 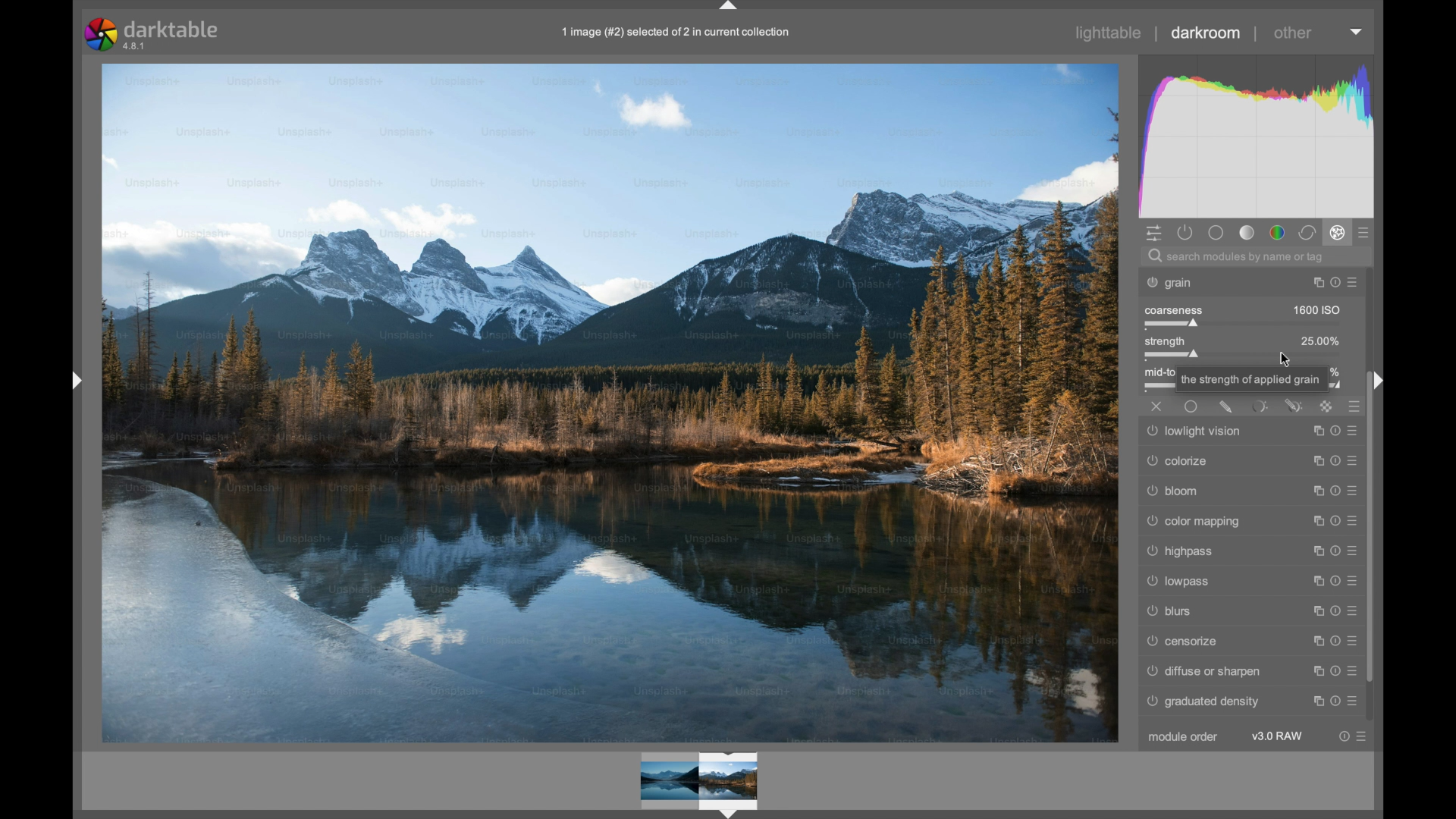 I want to click on instance, so click(x=1314, y=582).